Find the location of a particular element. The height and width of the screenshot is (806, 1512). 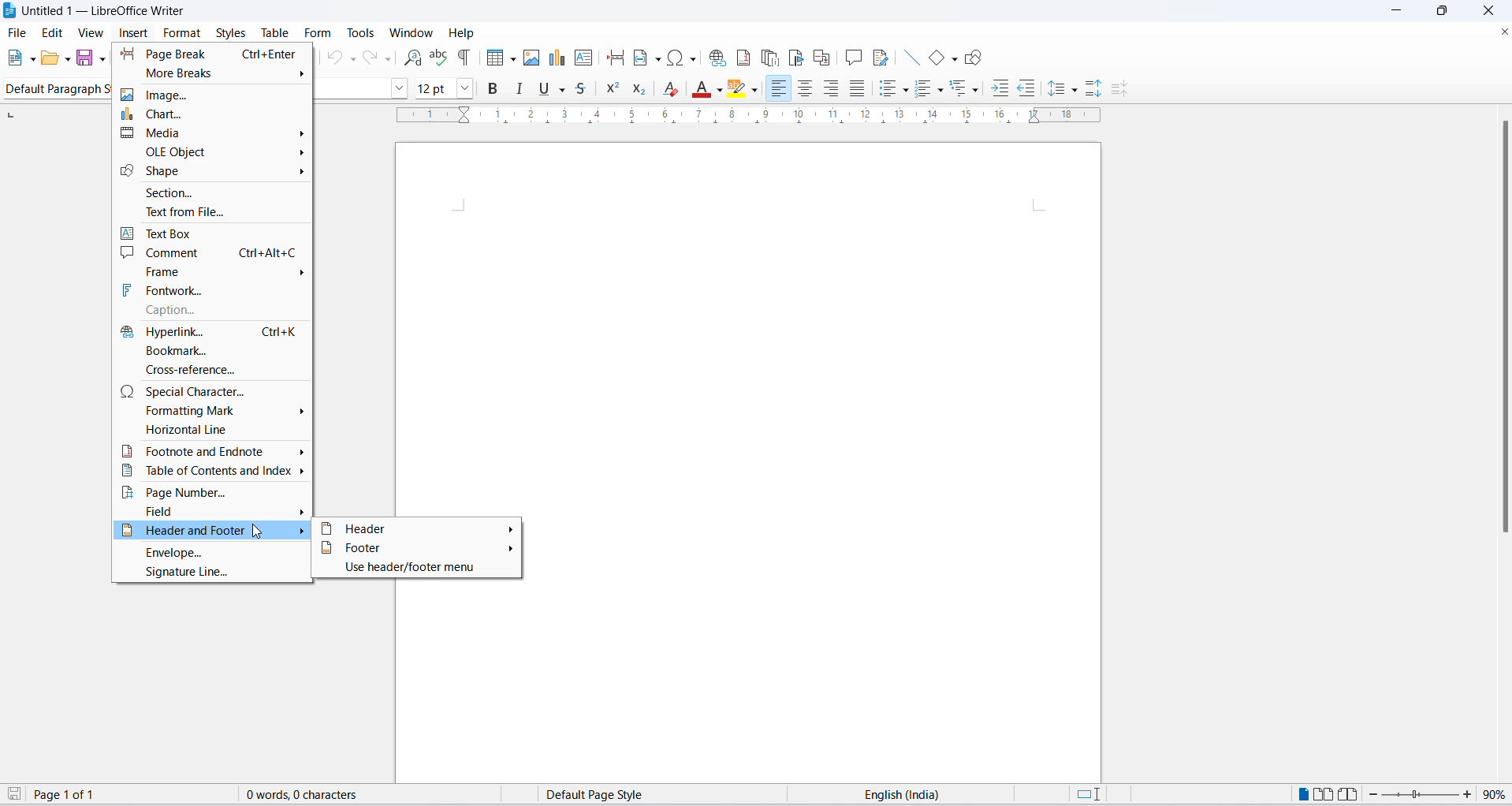

view is located at coordinates (91, 32).